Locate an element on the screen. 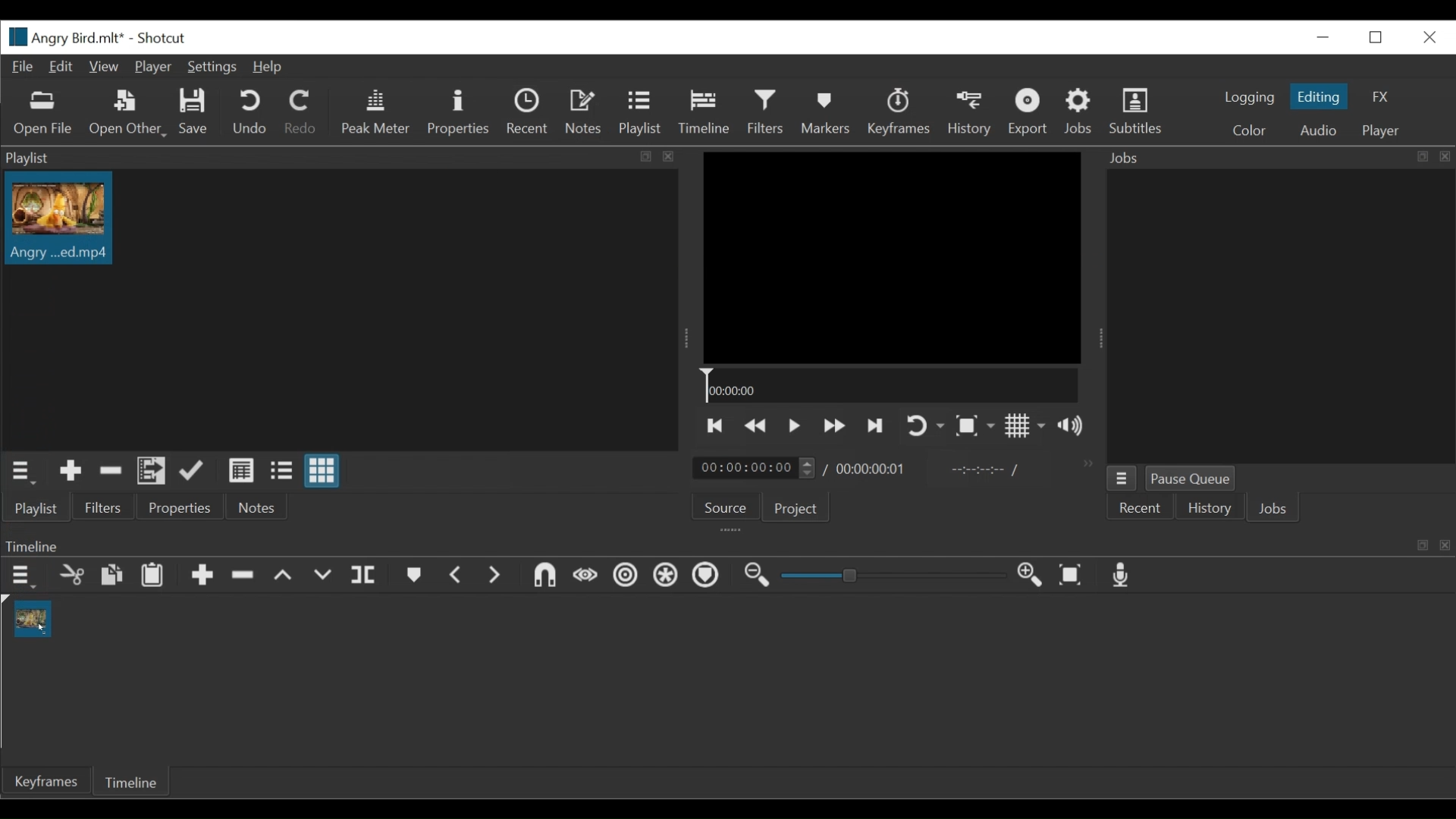 The image size is (1456, 819). Timeline is located at coordinates (129, 781).